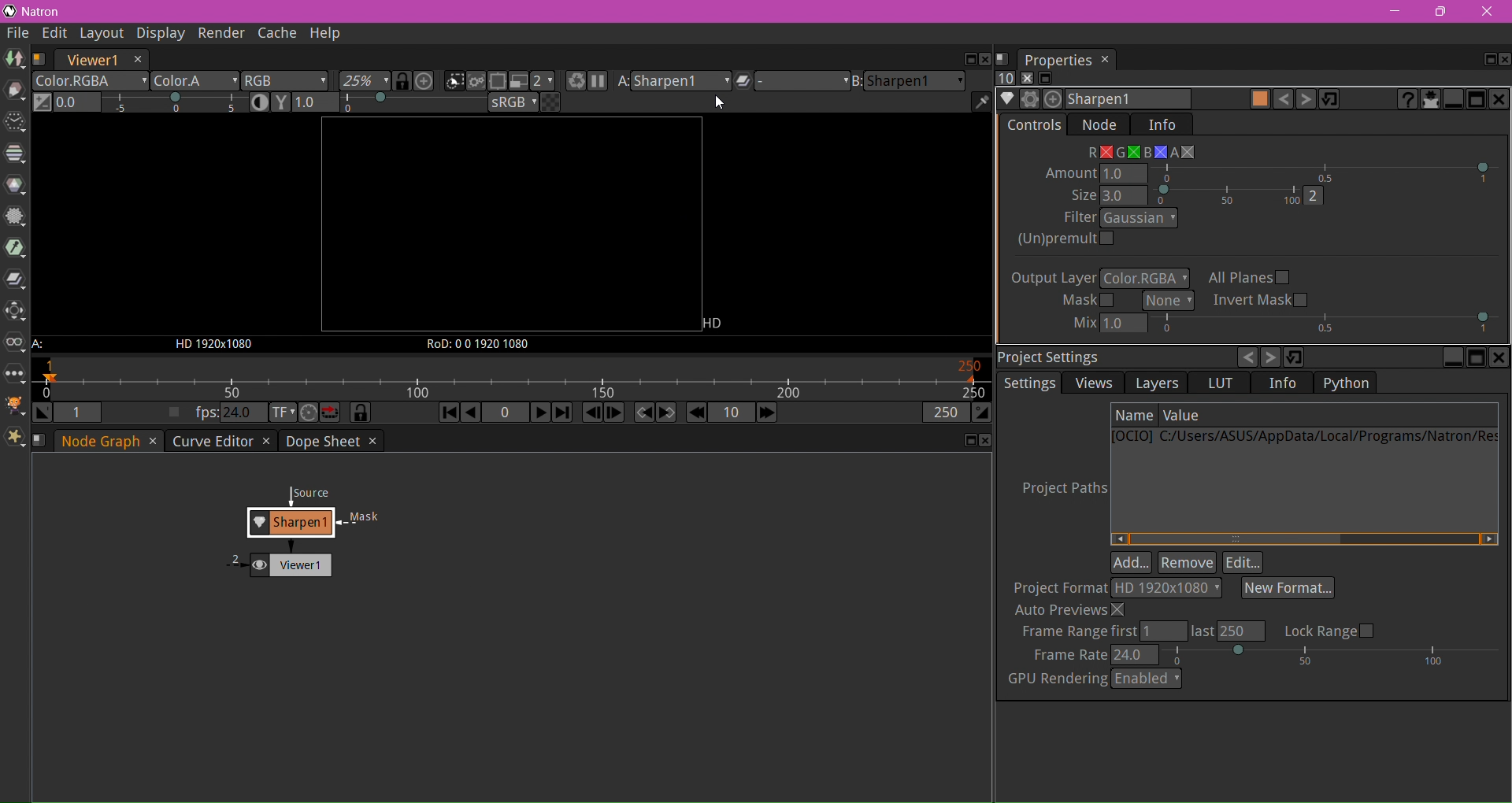 The image size is (1512, 803). I want to click on Dope Sheet, so click(321, 441).